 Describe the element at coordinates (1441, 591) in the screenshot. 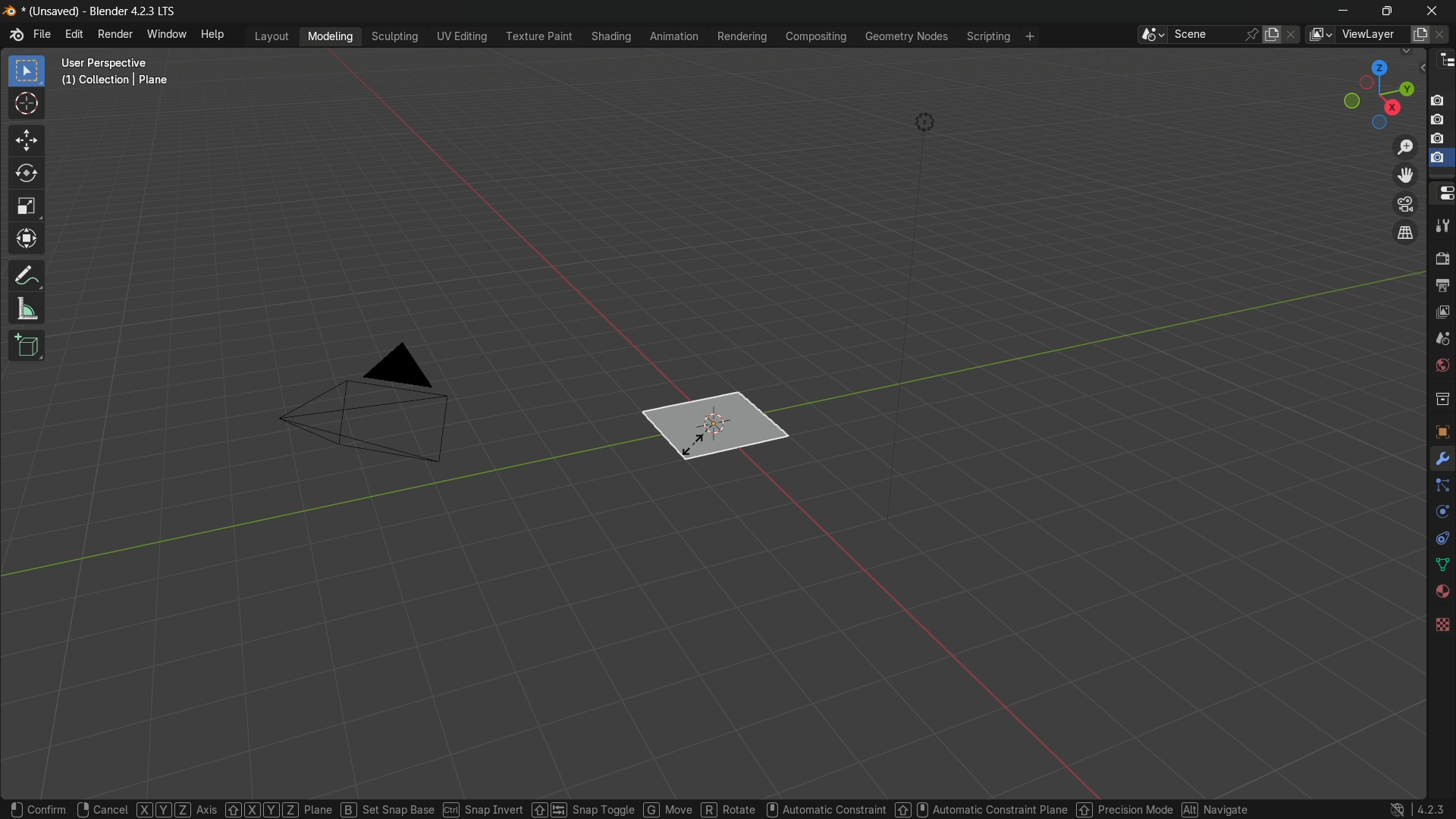

I see `material` at that location.